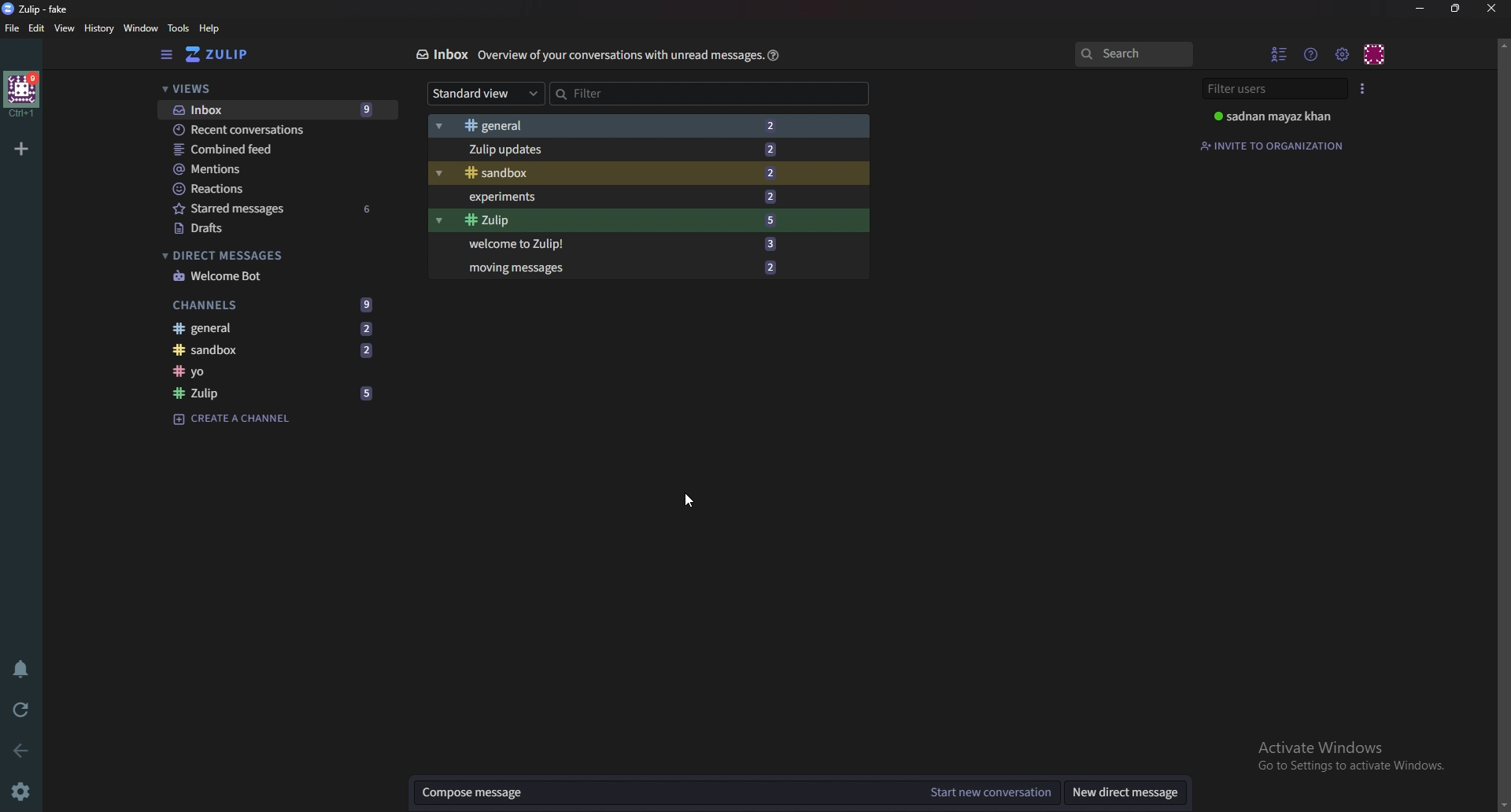  Describe the element at coordinates (24, 749) in the screenshot. I see `back` at that location.